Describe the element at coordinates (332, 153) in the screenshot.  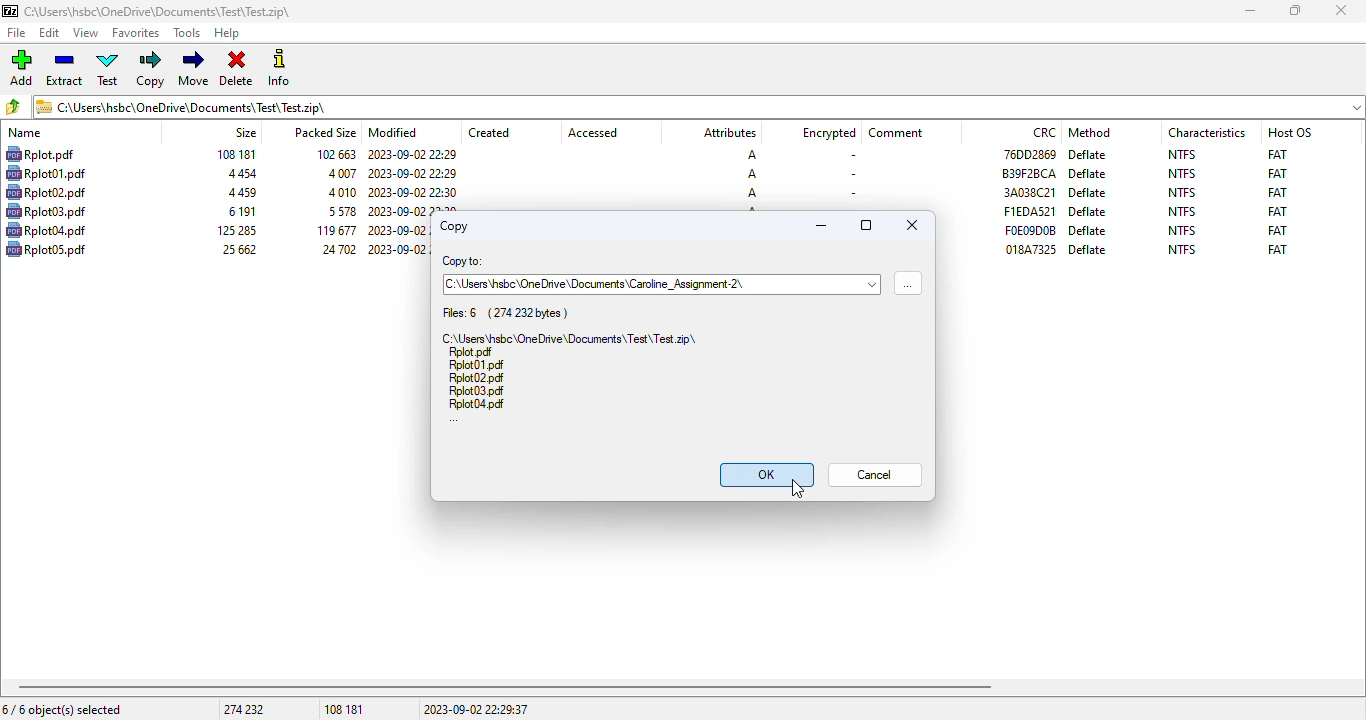
I see `packed size` at that location.